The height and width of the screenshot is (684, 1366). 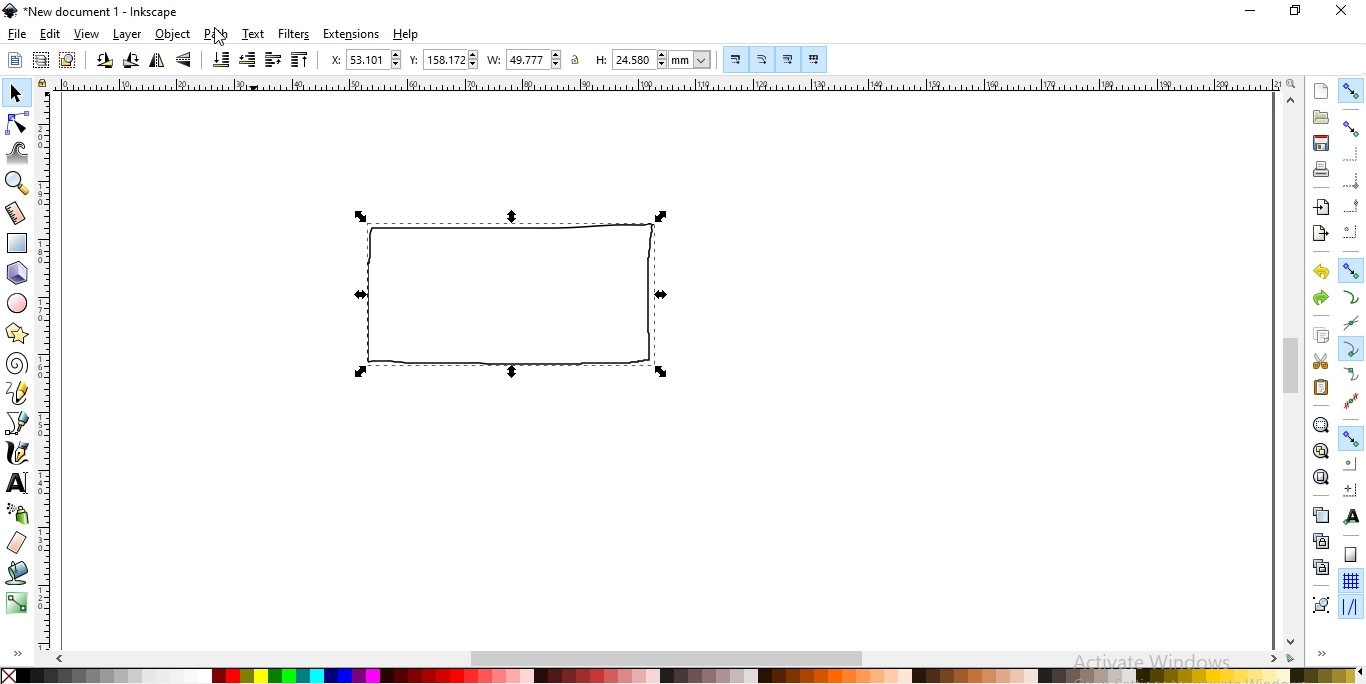 What do you see at coordinates (1353, 607) in the screenshot?
I see `snap guide` at bounding box center [1353, 607].